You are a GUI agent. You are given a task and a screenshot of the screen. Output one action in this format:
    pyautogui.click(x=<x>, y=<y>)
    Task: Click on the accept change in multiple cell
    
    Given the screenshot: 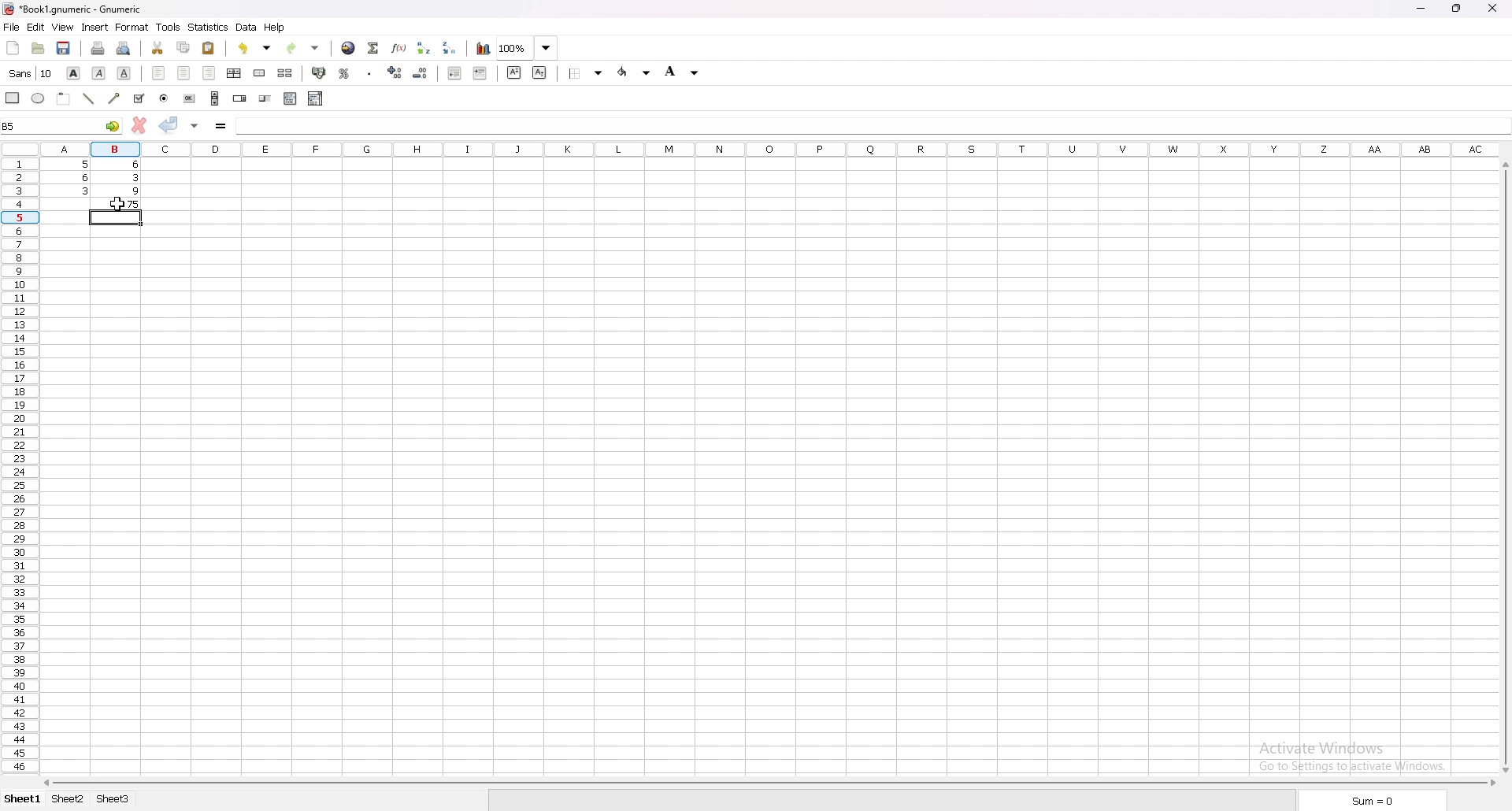 What is the action you would take?
    pyautogui.click(x=195, y=127)
    